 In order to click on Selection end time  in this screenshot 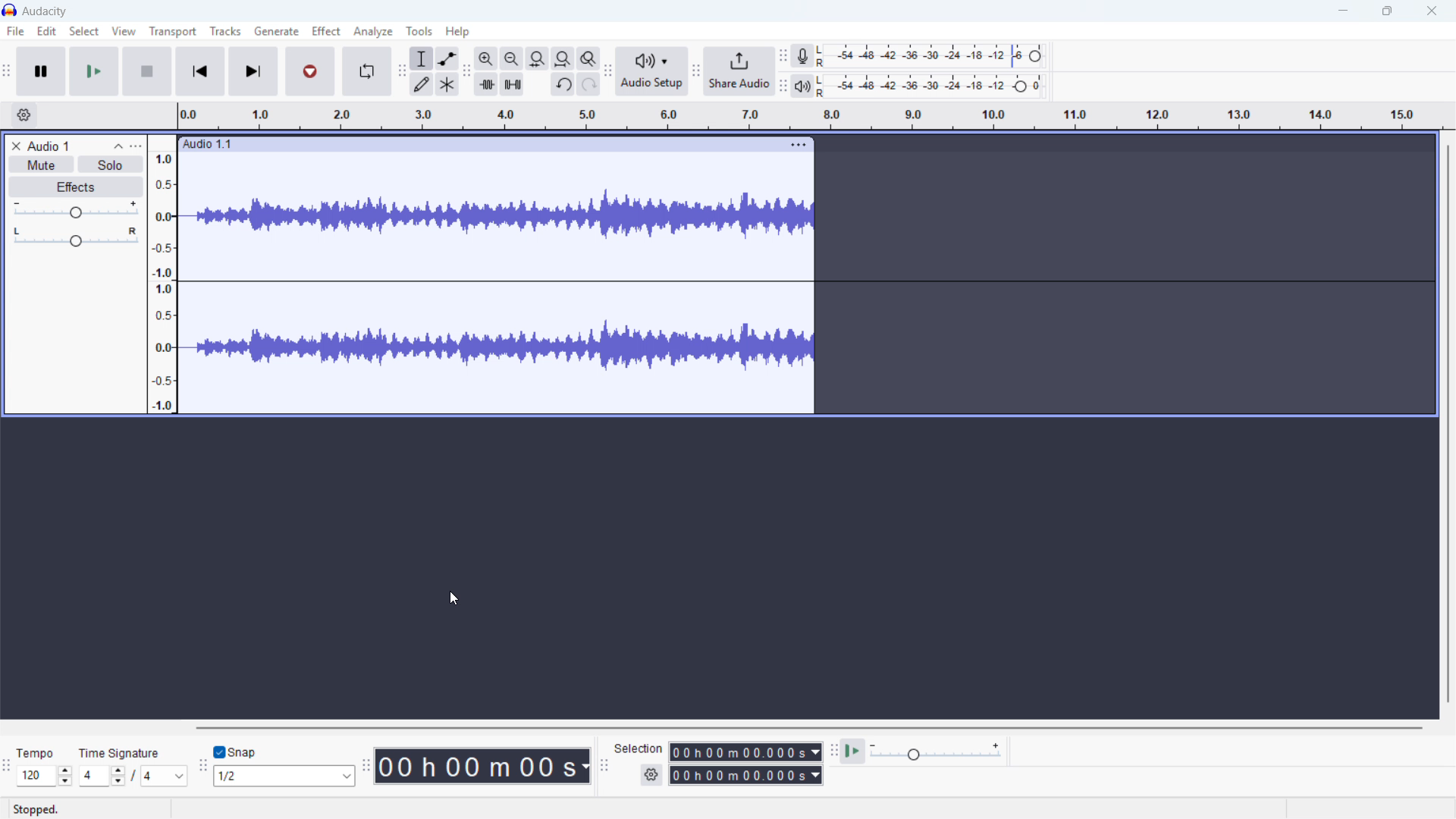, I will do `click(745, 775)`.